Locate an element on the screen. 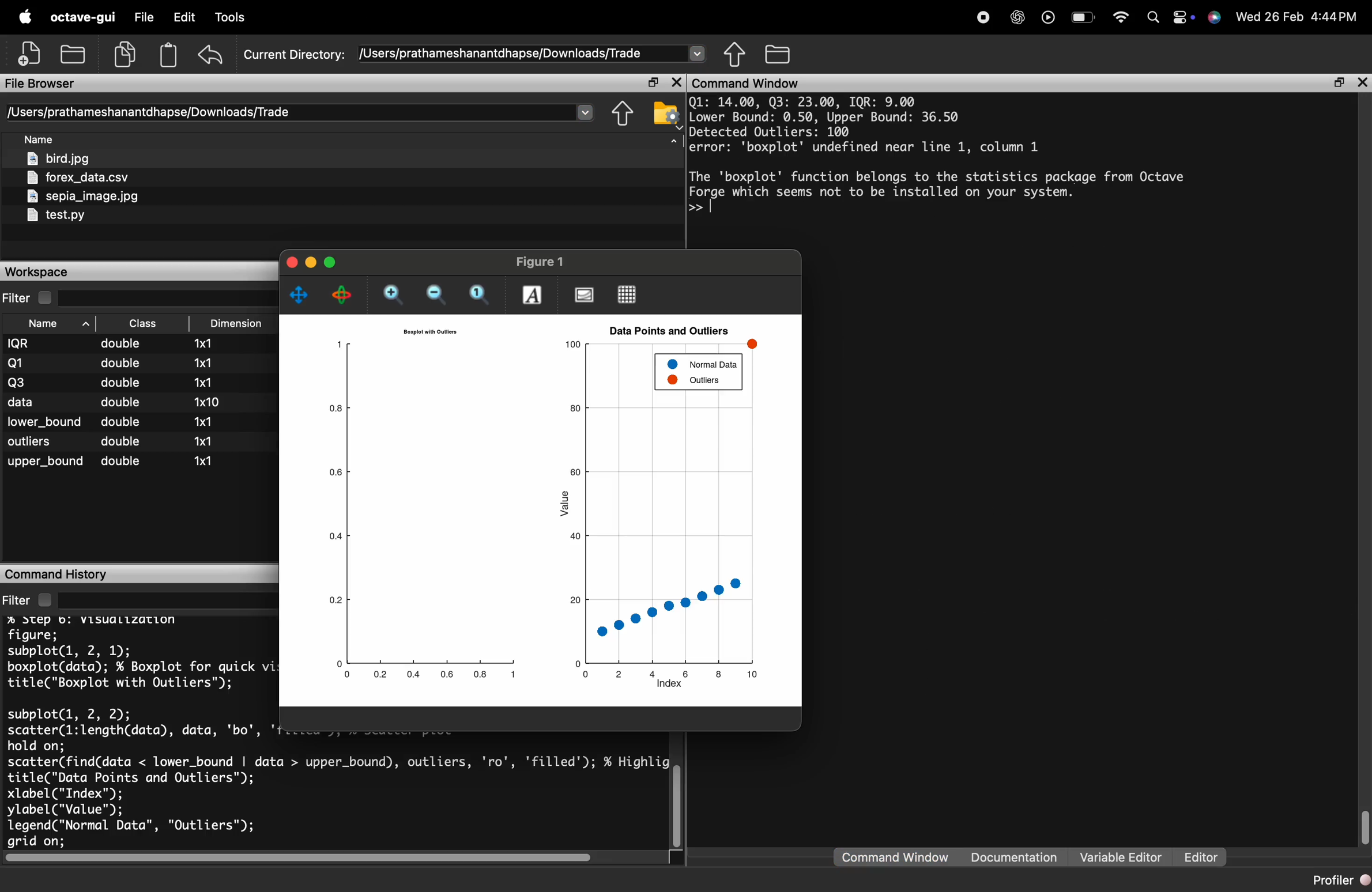 This screenshot has height=892, width=1372. zoom in is located at coordinates (397, 296).